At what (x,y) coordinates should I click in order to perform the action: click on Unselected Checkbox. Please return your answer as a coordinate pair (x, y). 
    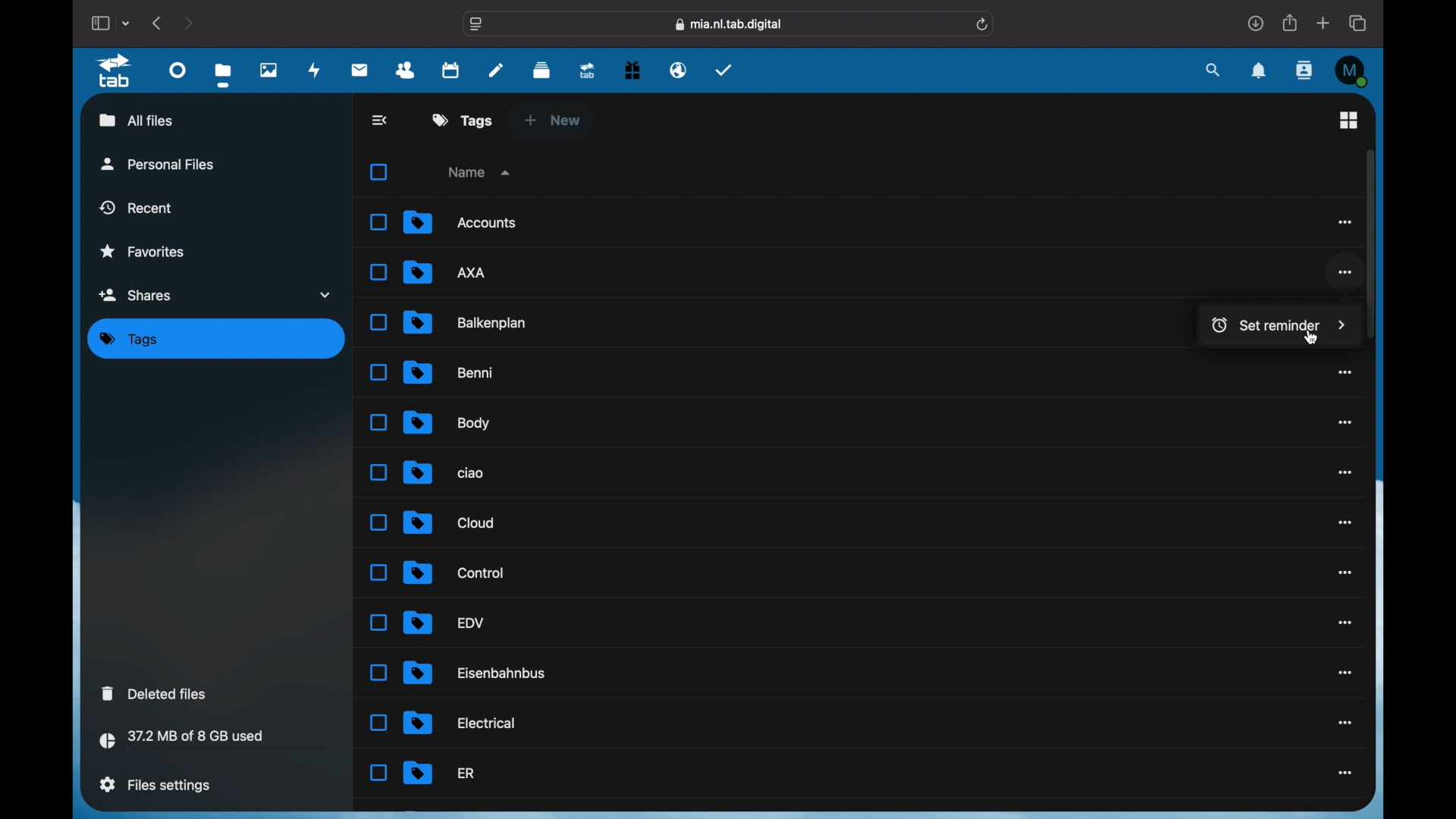
    Looking at the image, I should click on (378, 472).